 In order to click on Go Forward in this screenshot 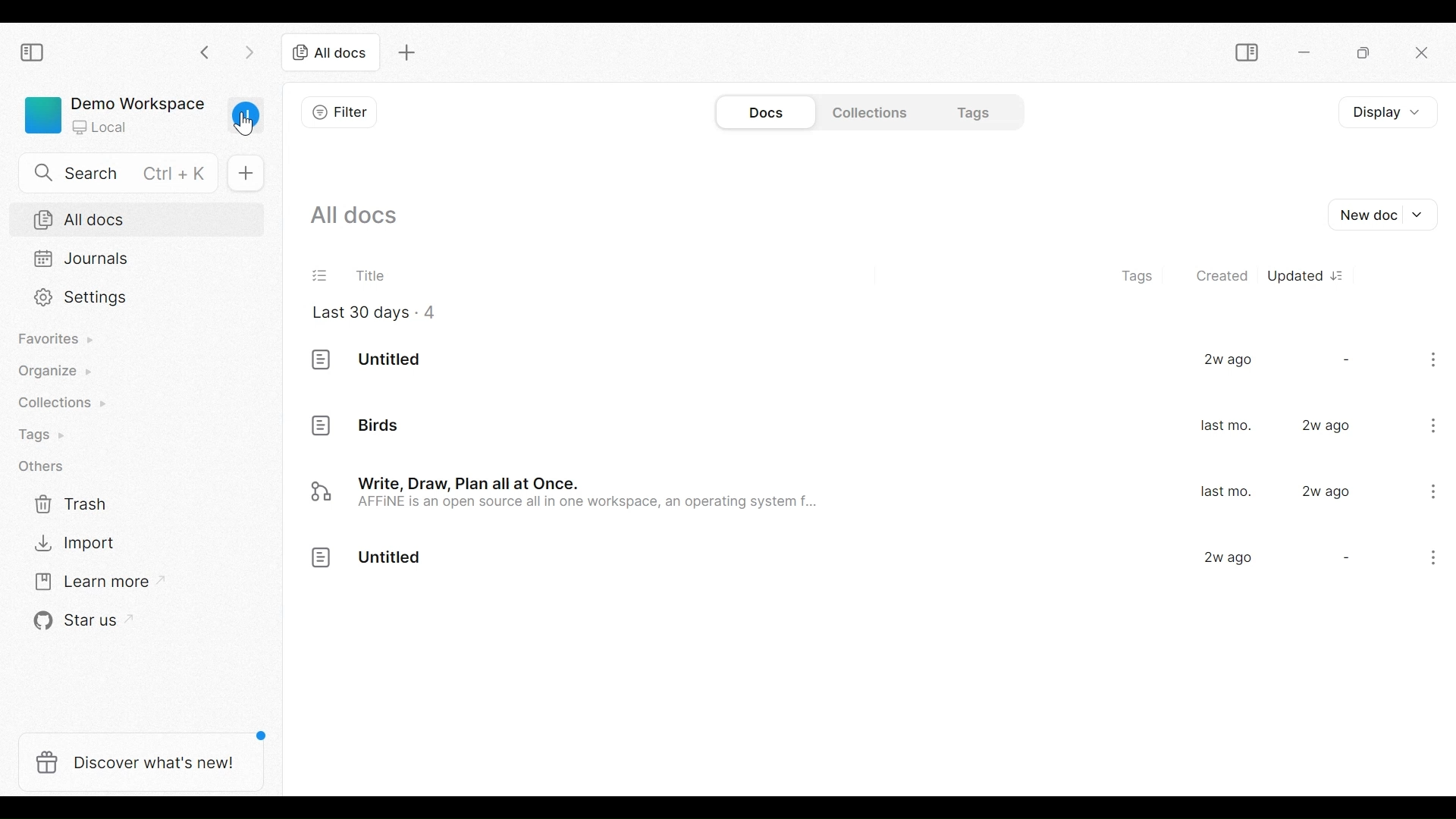, I will do `click(246, 52)`.